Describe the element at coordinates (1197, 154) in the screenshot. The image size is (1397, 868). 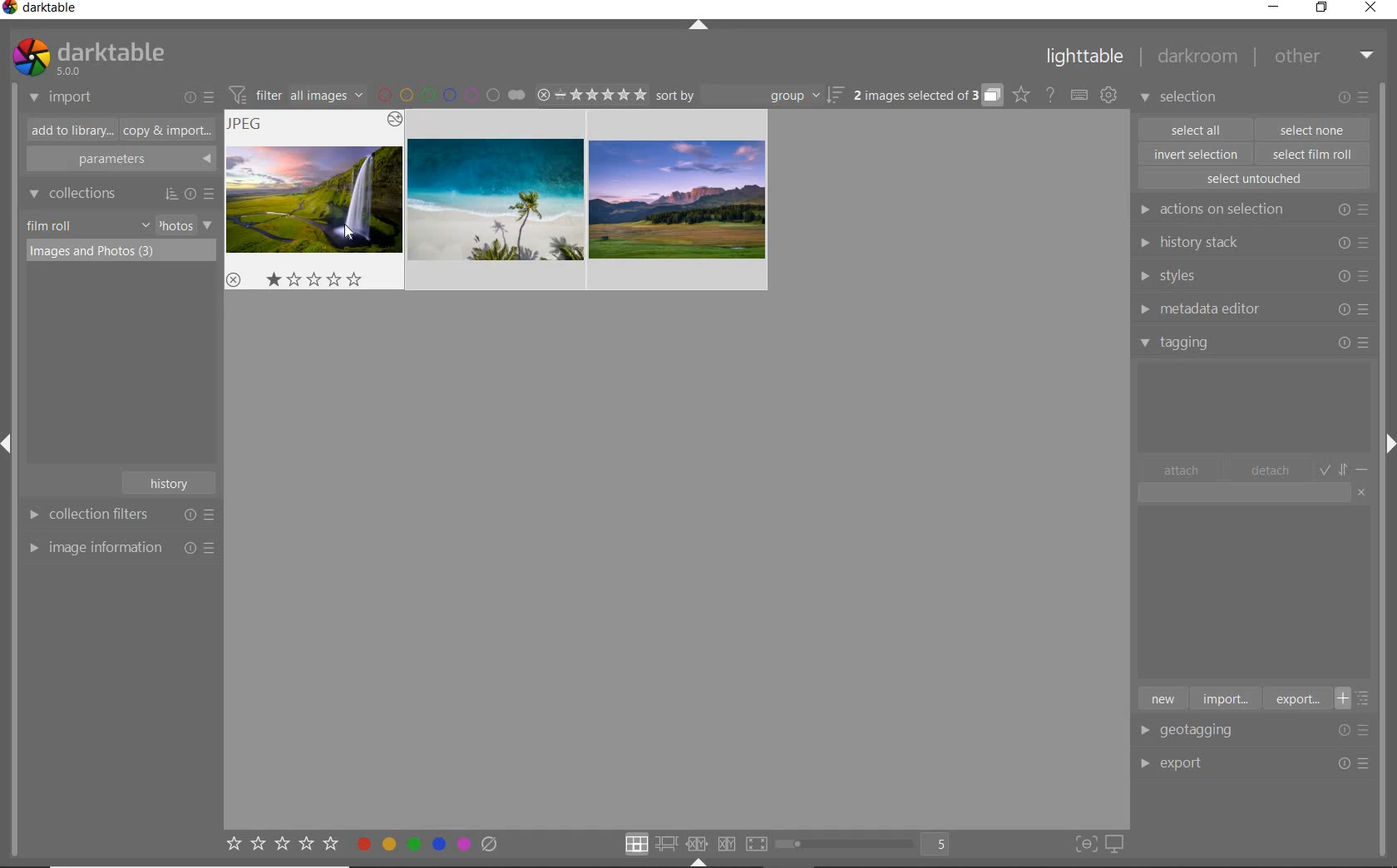
I see `invert selection` at that location.